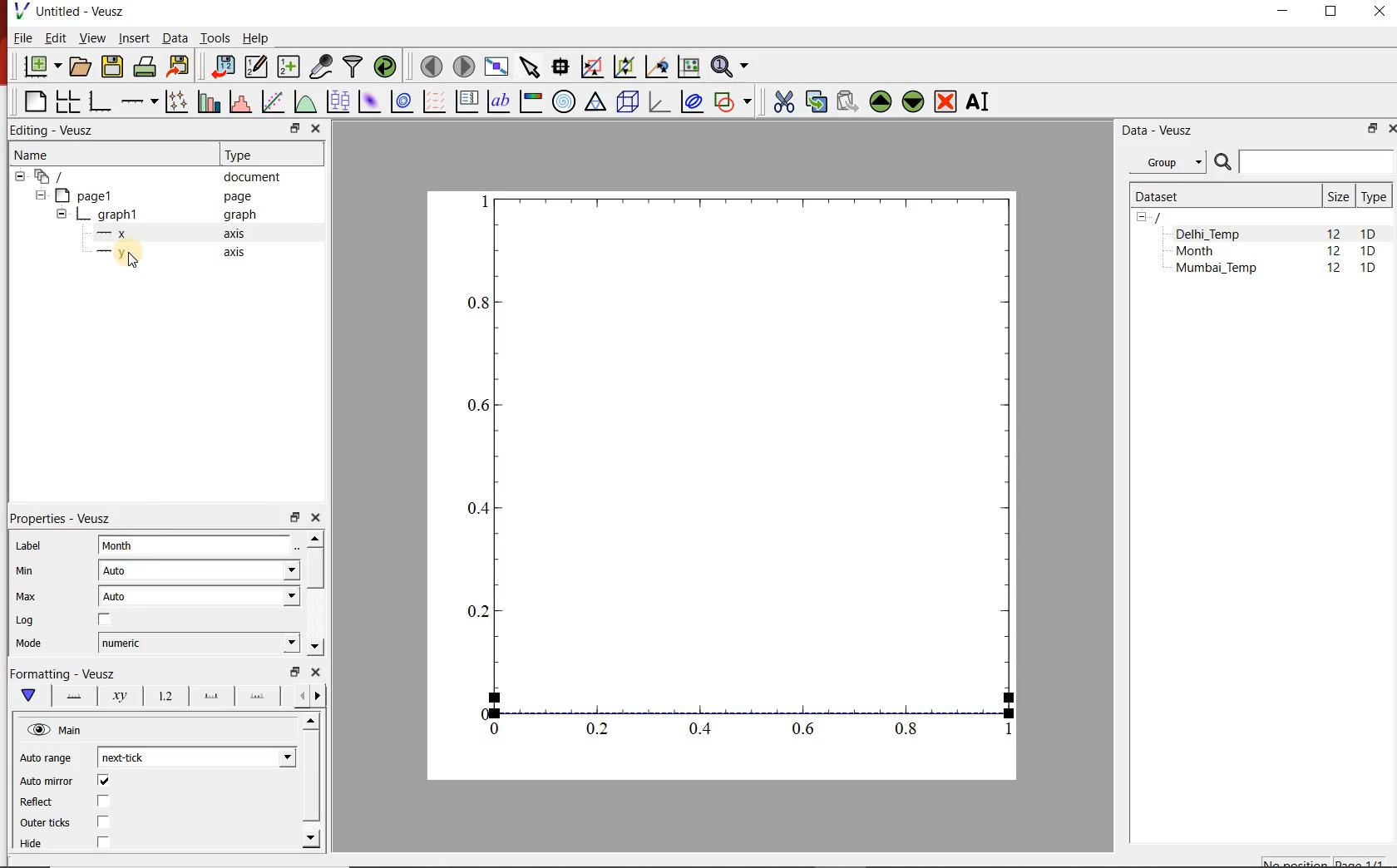  What do you see at coordinates (104, 802) in the screenshot?
I see `check/uncheck` at bounding box center [104, 802].